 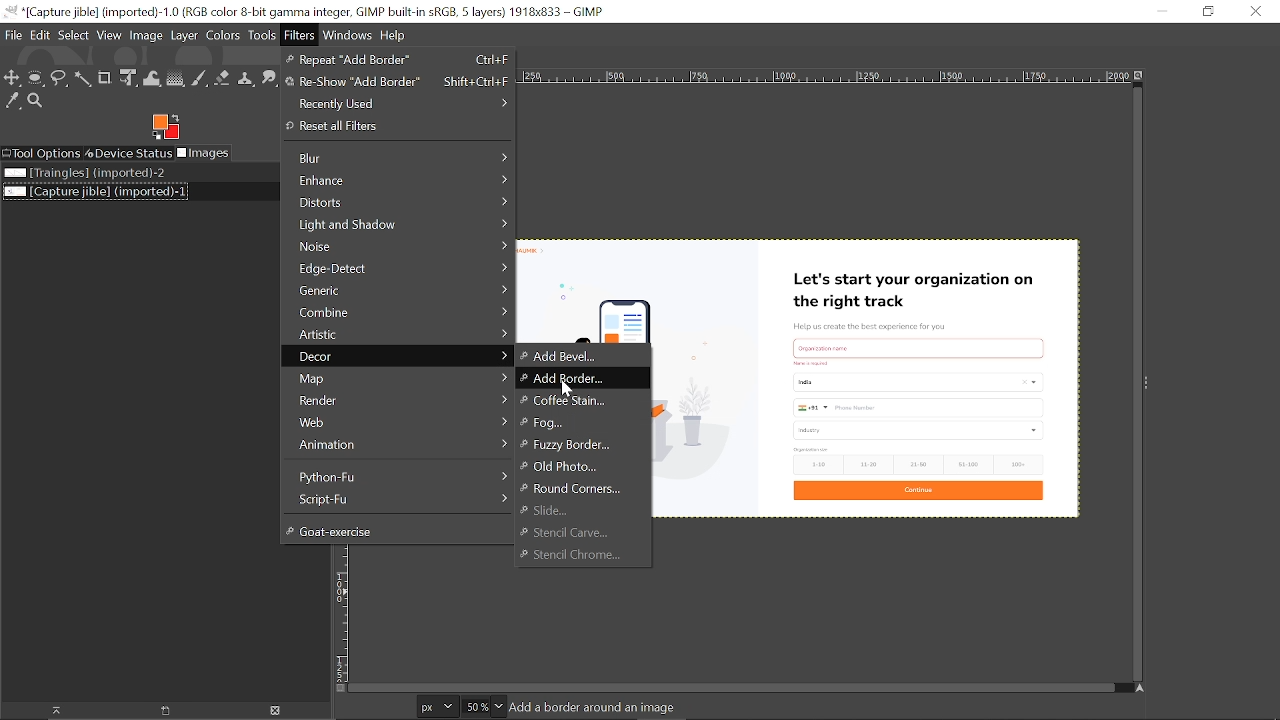 What do you see at coordinates (398, 444) in the screenshot?
I see `Animation` at bounding box center [398, 444].